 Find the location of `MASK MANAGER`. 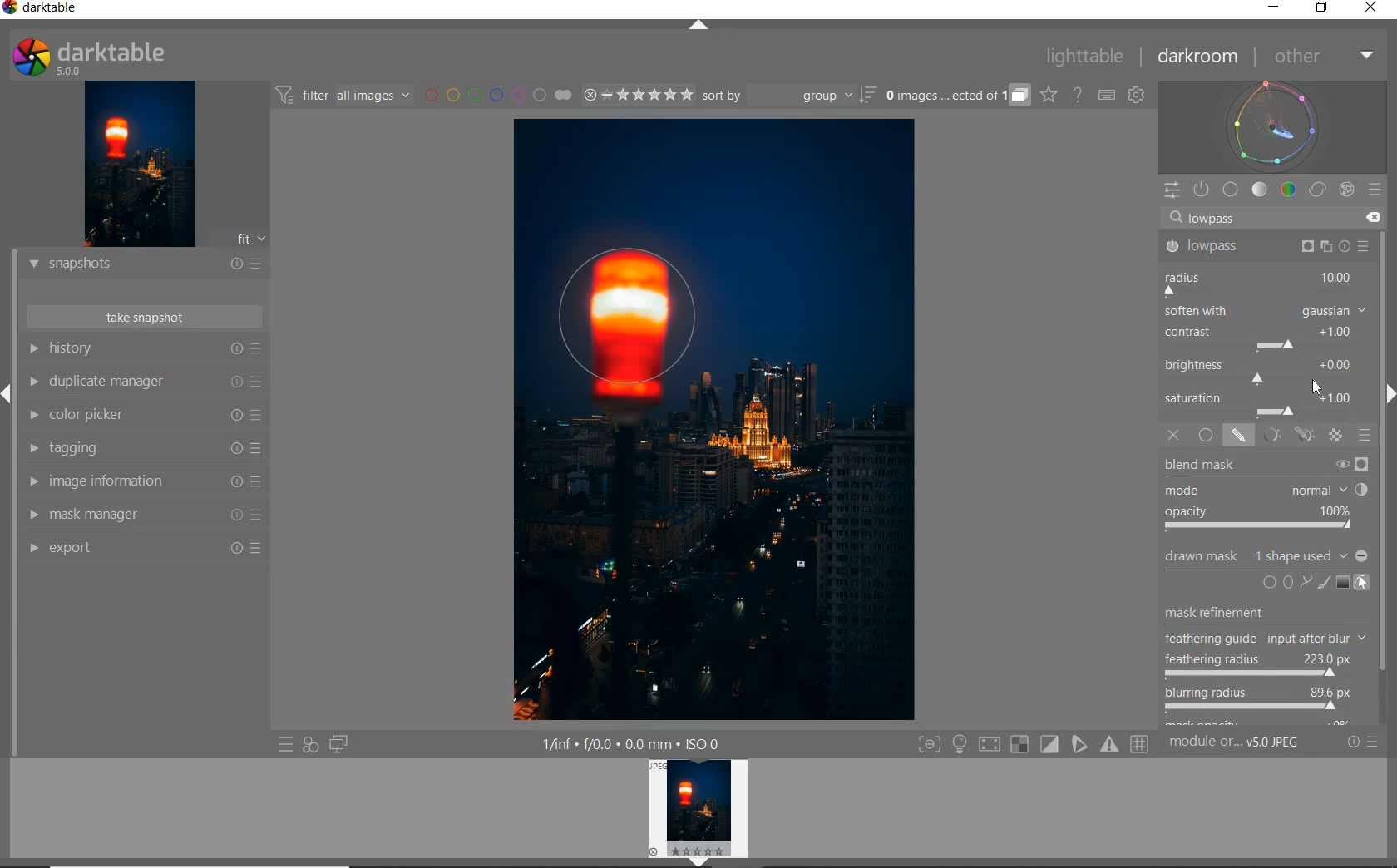

MASK MANAGER is located at coordinates (144, 515).